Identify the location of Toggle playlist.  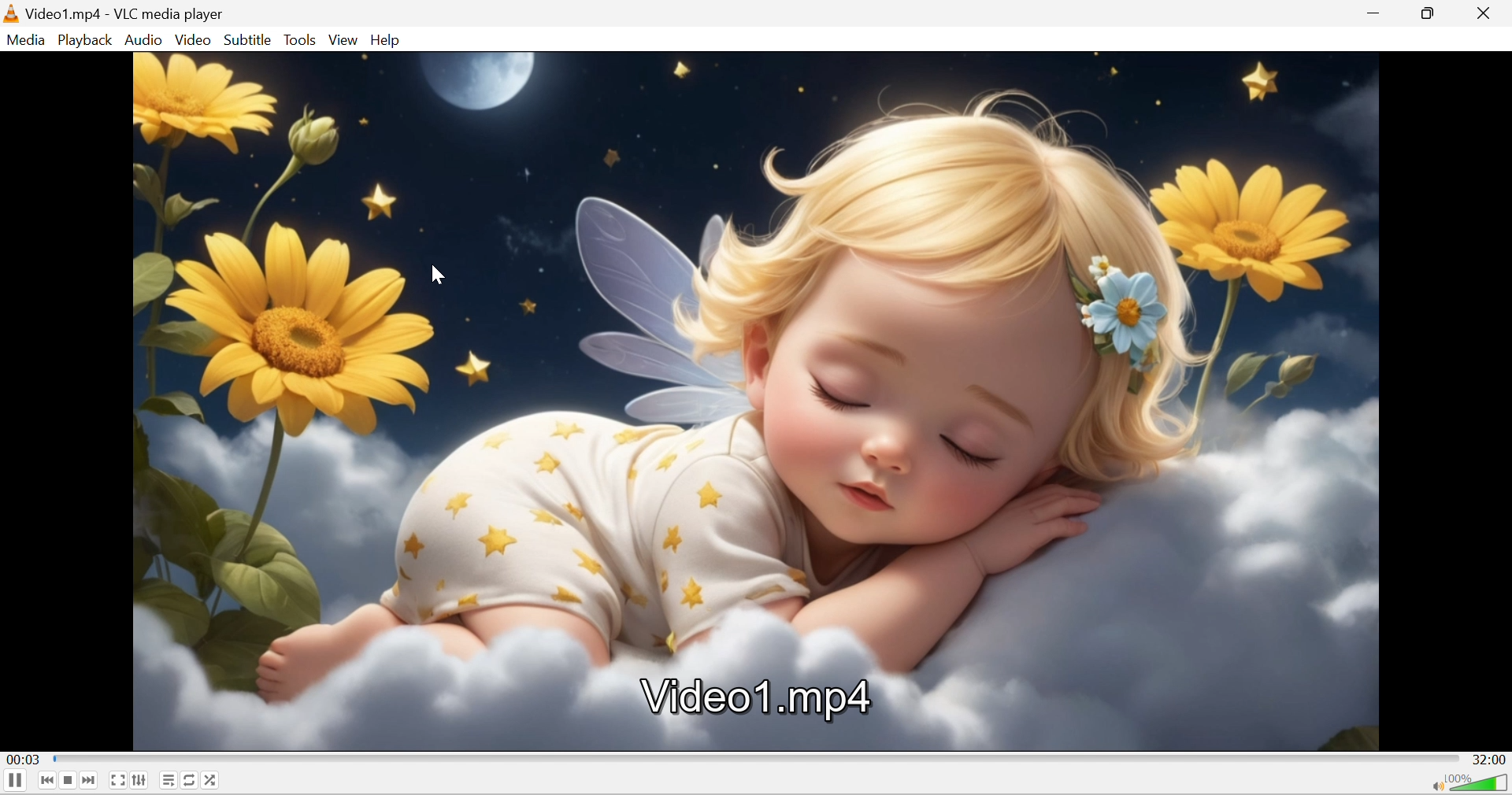
(168, 780).